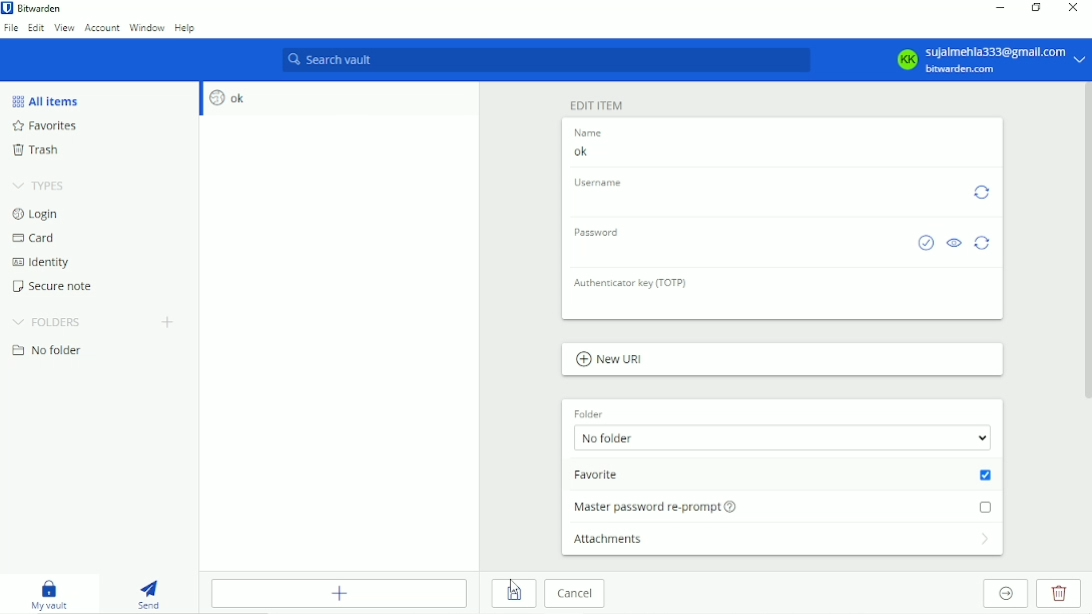  What do you see at coordinates (40, 149) in the screenshot?
I see `Trash` at bounding box center [40, 149].